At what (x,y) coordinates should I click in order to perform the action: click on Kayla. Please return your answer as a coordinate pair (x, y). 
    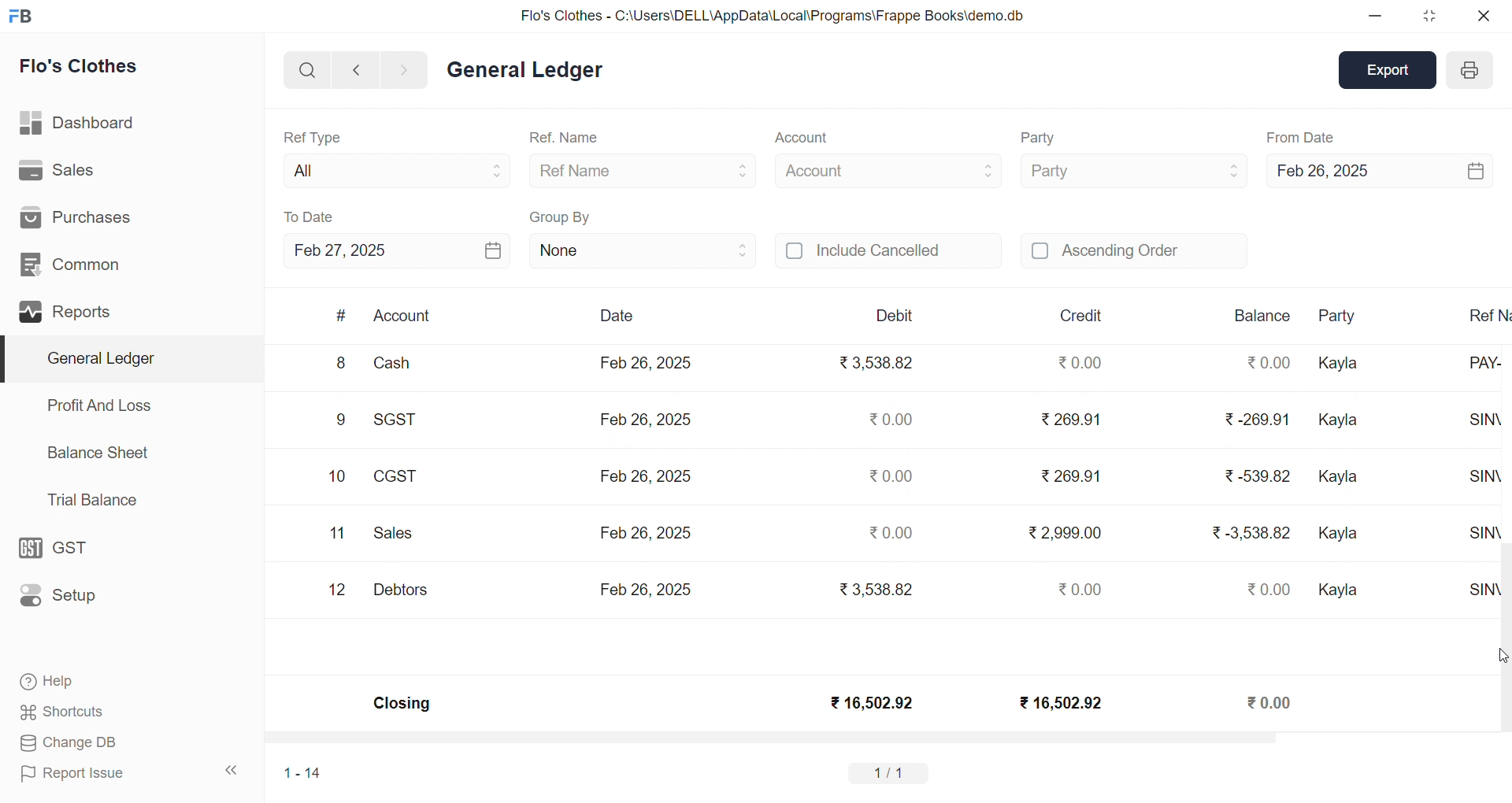
    Looking at the image, I should click on (1343, 421).